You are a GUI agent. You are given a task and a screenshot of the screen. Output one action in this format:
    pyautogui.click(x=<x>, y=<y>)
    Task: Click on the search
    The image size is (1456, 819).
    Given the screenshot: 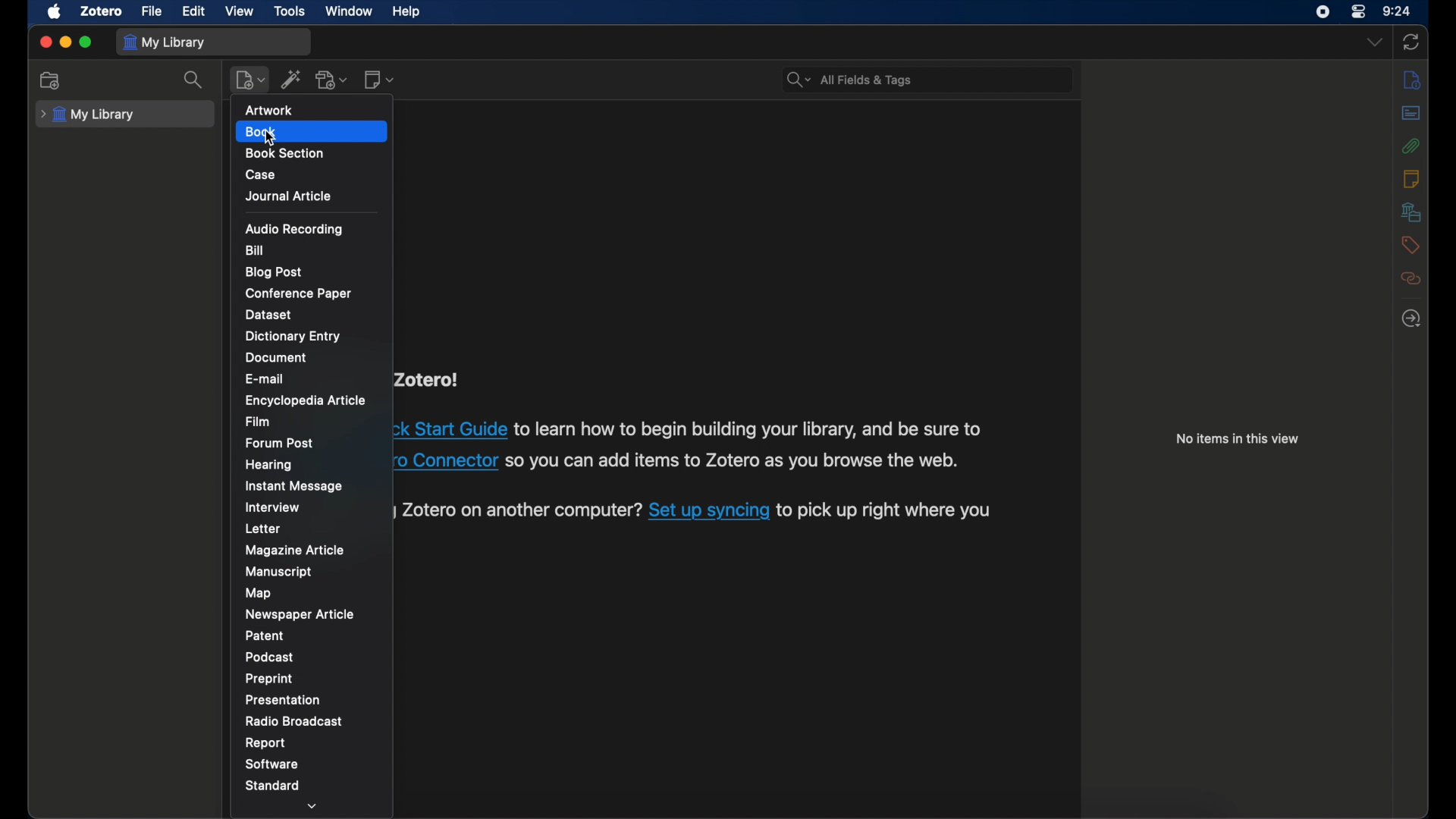 What is the action you would take?
    pyautogui.click(x=852, y=80)
    